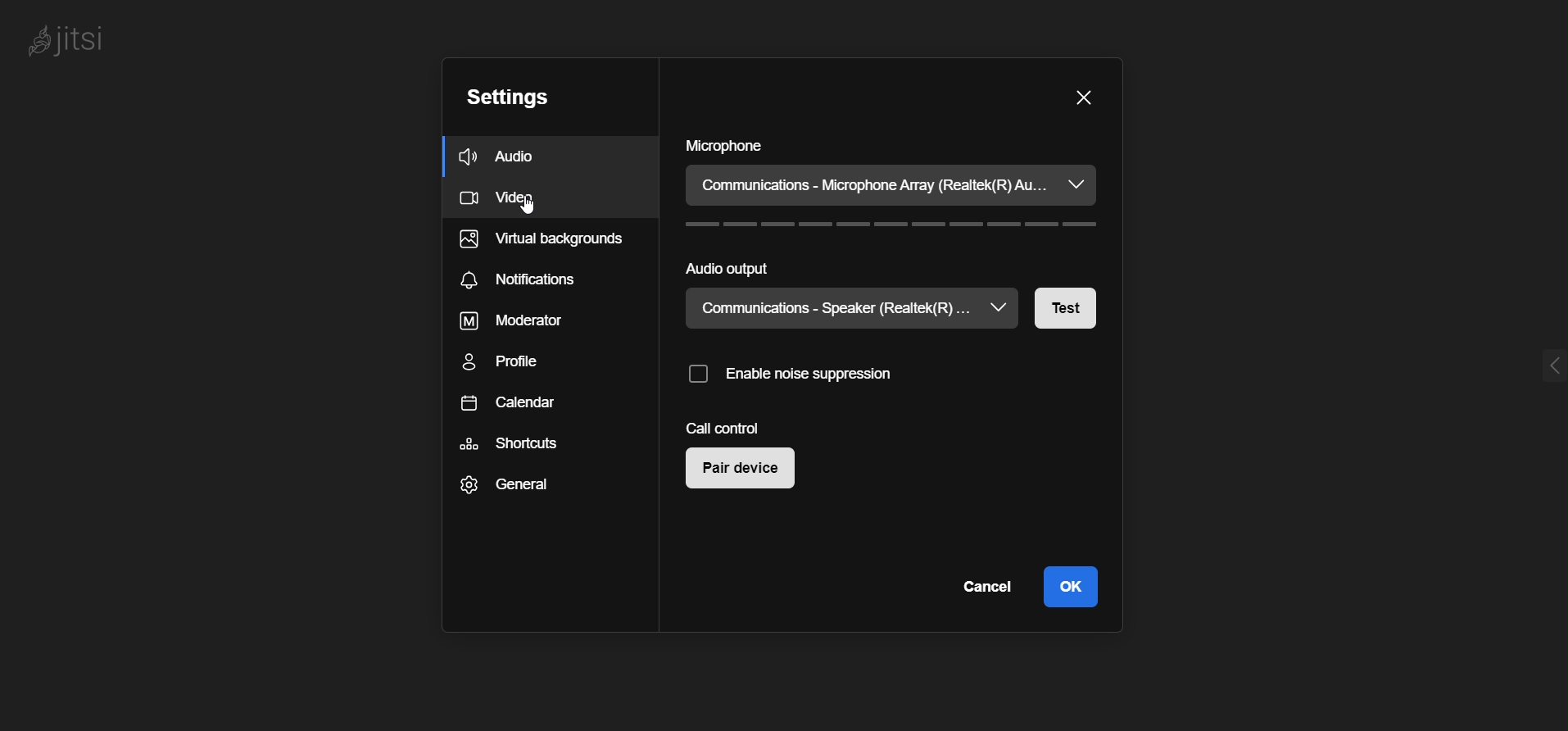 The height and width of the screenshot is (731, 1568). What do you see at coordinates (532, 238) in the screenshot?
I see `virtual backgrounds` at bounding box center [532, 238].